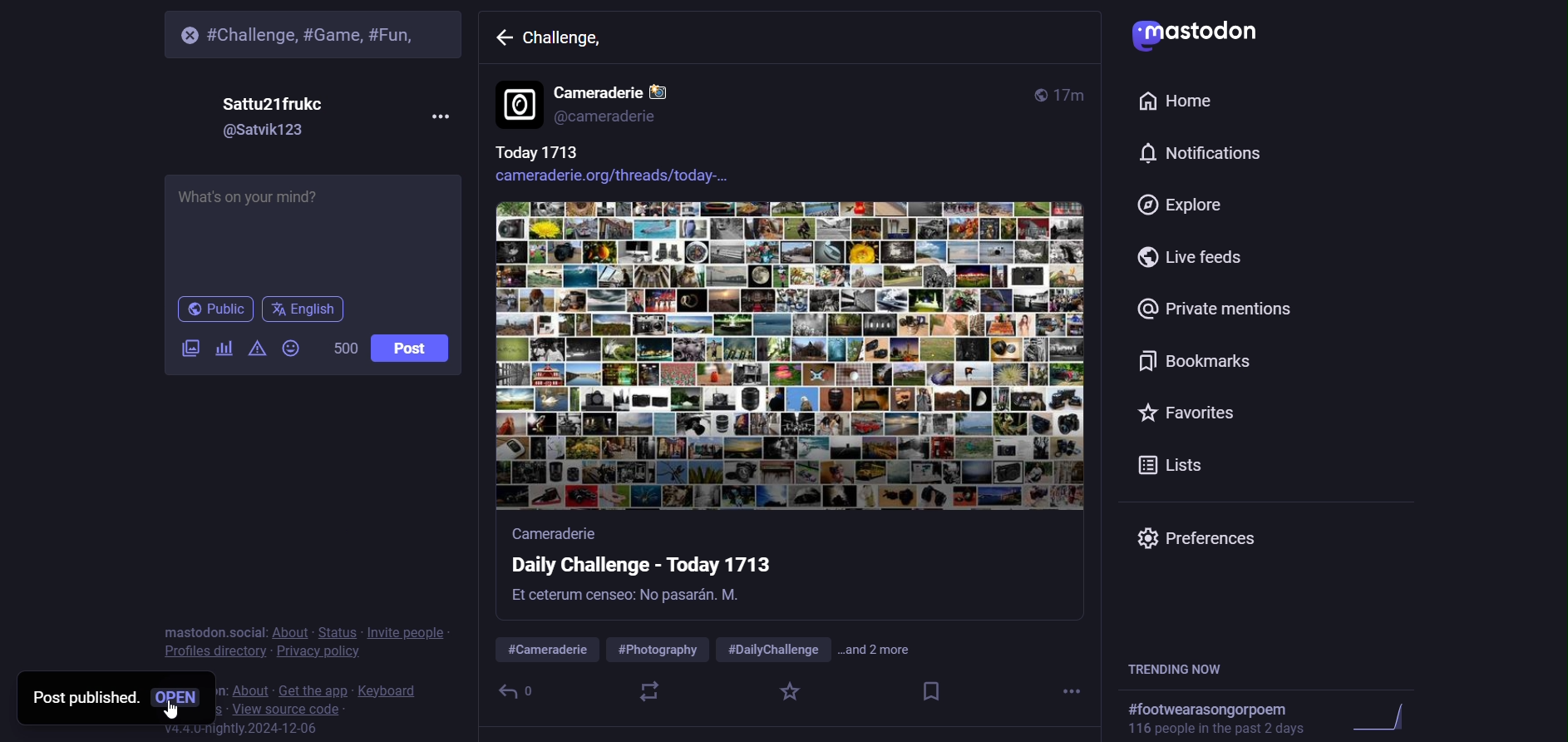  What do you see at coordinates (212, 631) in the screenshot?
I see `mastodon social` at bounding box center [212, 631].